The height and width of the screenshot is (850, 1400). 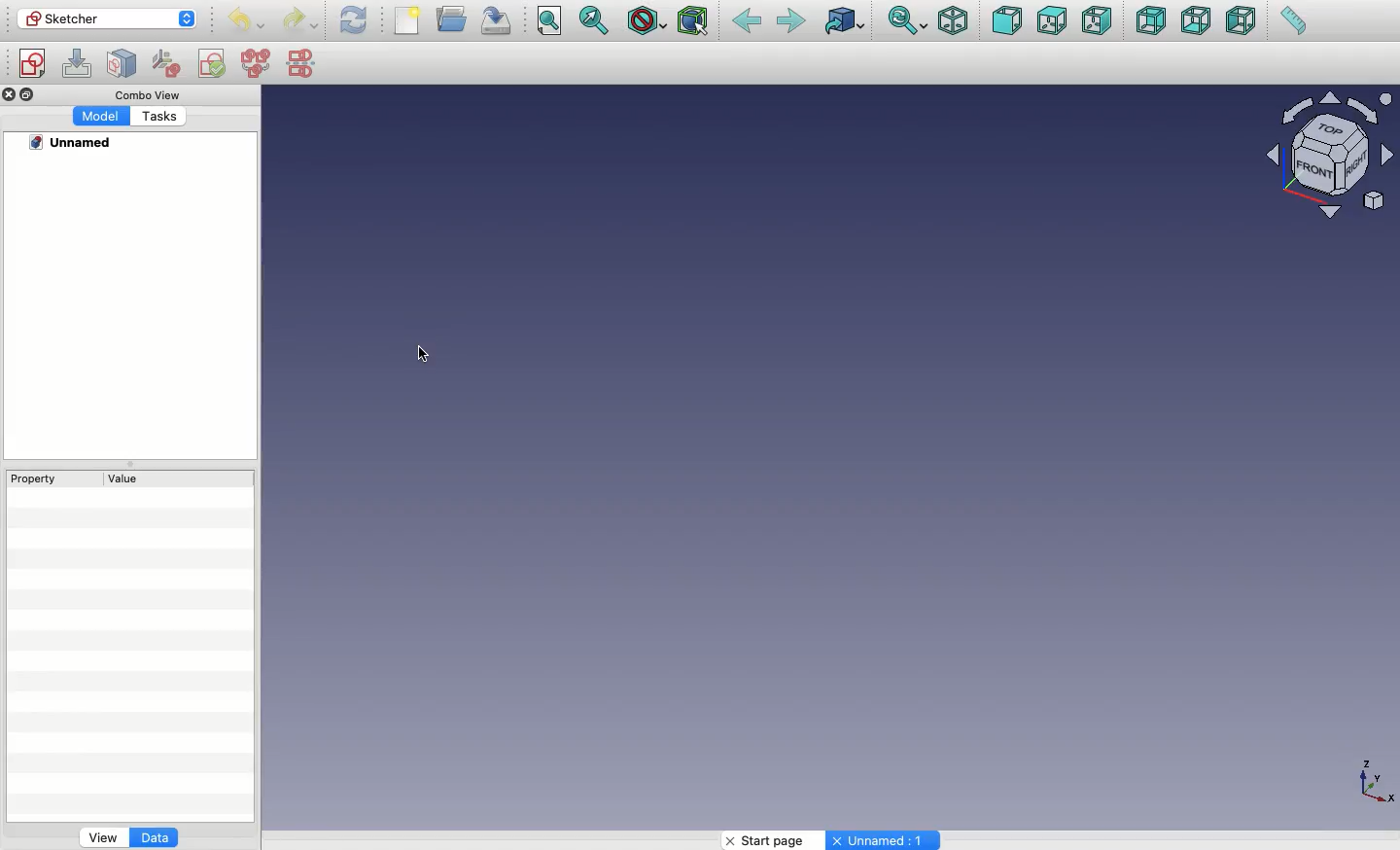 I want to click on Model, so click(x=101, y=118).